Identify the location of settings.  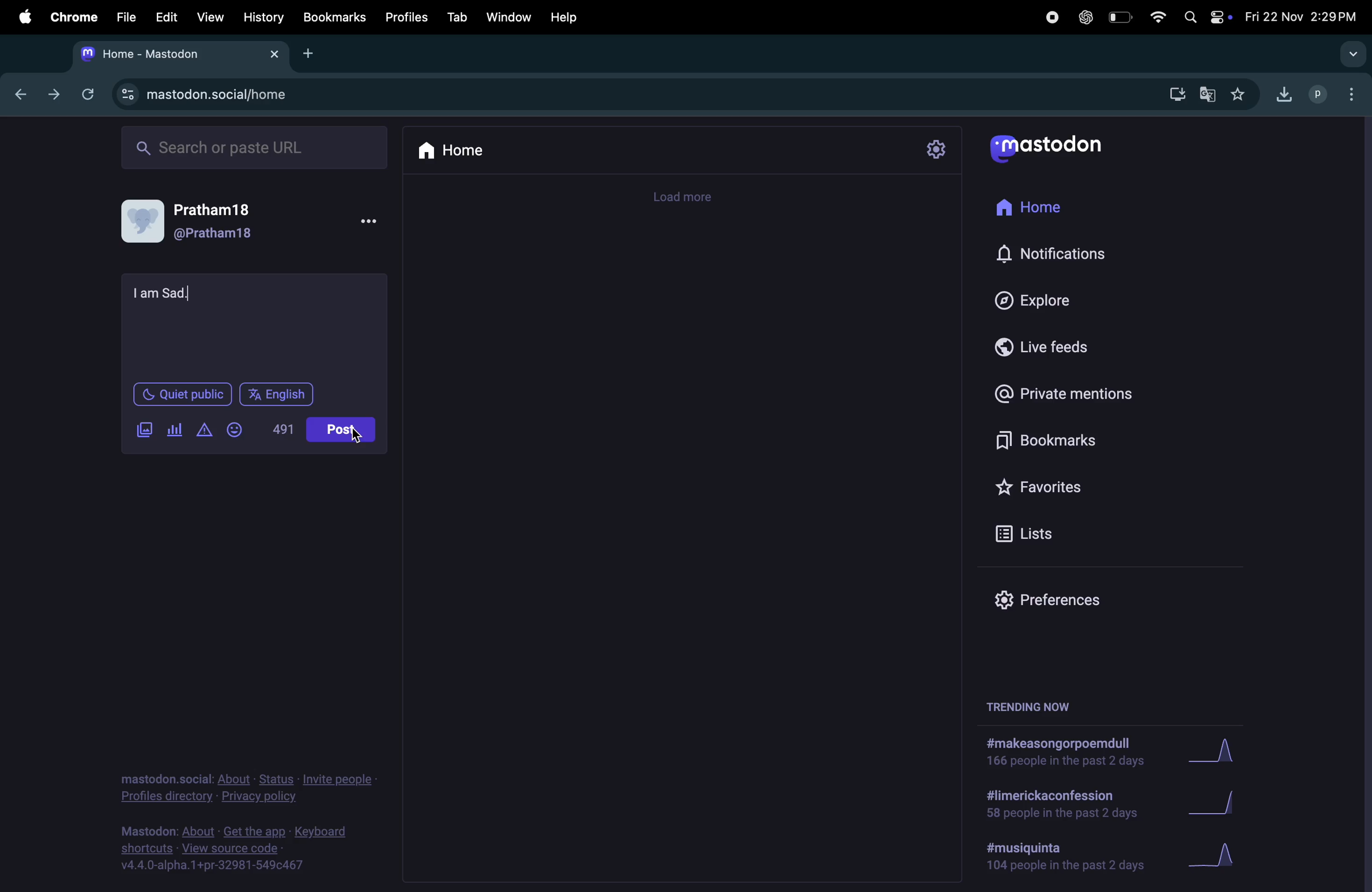
(936, 149).